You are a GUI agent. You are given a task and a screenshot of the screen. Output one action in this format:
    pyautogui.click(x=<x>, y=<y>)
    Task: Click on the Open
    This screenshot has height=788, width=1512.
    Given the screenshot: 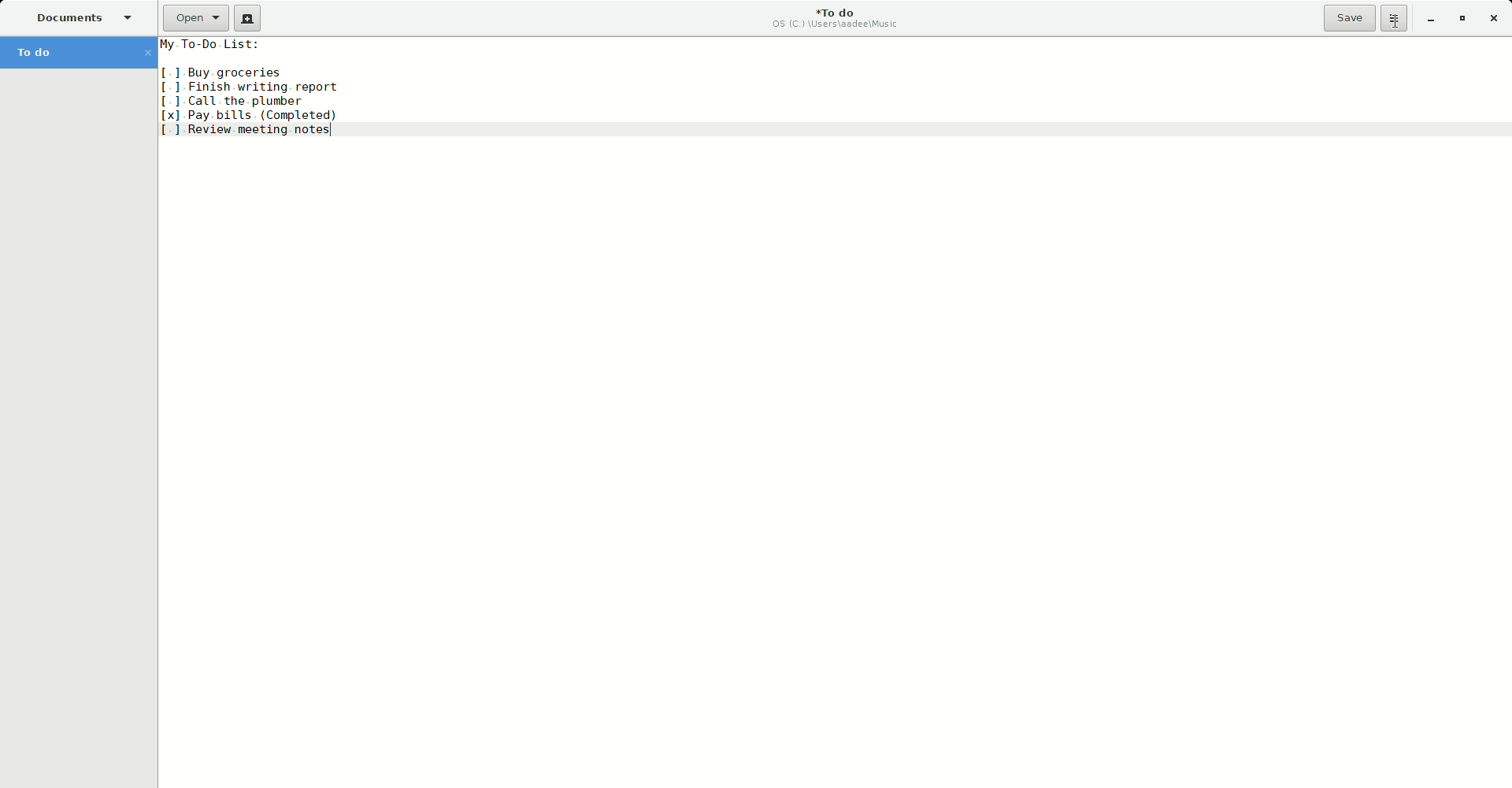 What is the action you would take?
    pyautogui.click(x=194, y=18)
    